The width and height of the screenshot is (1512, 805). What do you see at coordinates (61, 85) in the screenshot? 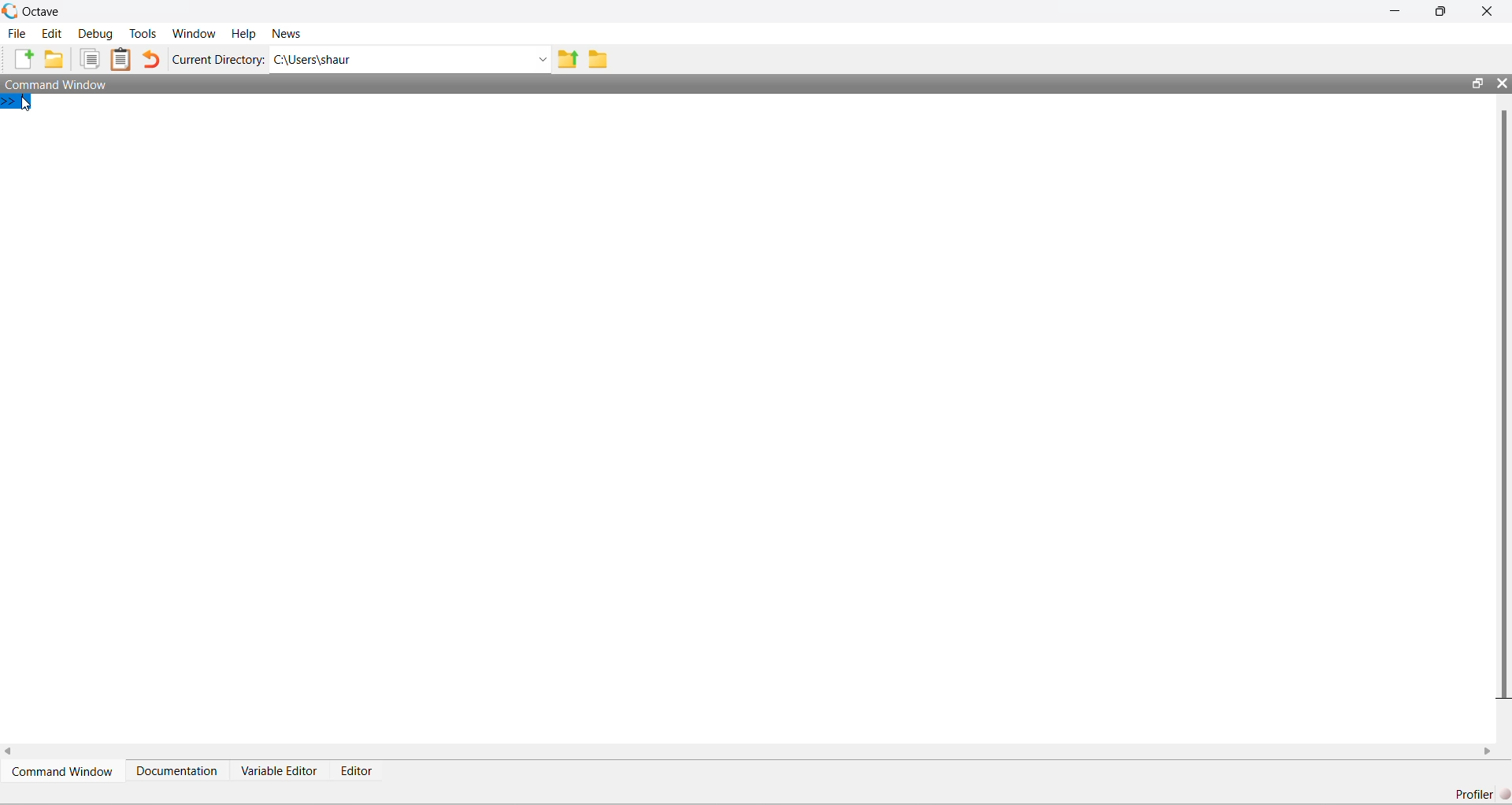
I see `Command Window` at bounding box center [61, 85].